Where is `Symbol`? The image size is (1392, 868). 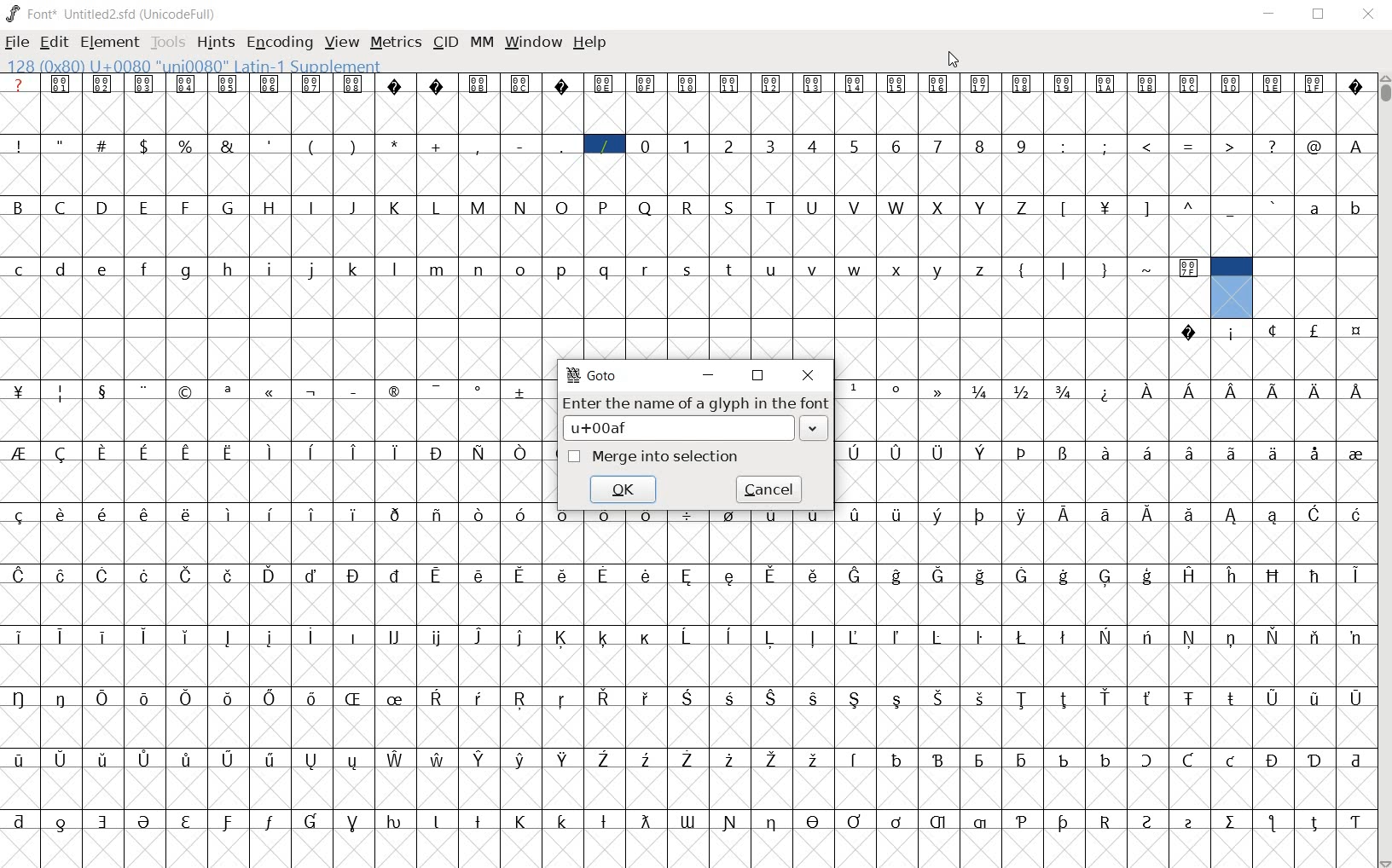
Symbol is located at coordinates (231, 451).